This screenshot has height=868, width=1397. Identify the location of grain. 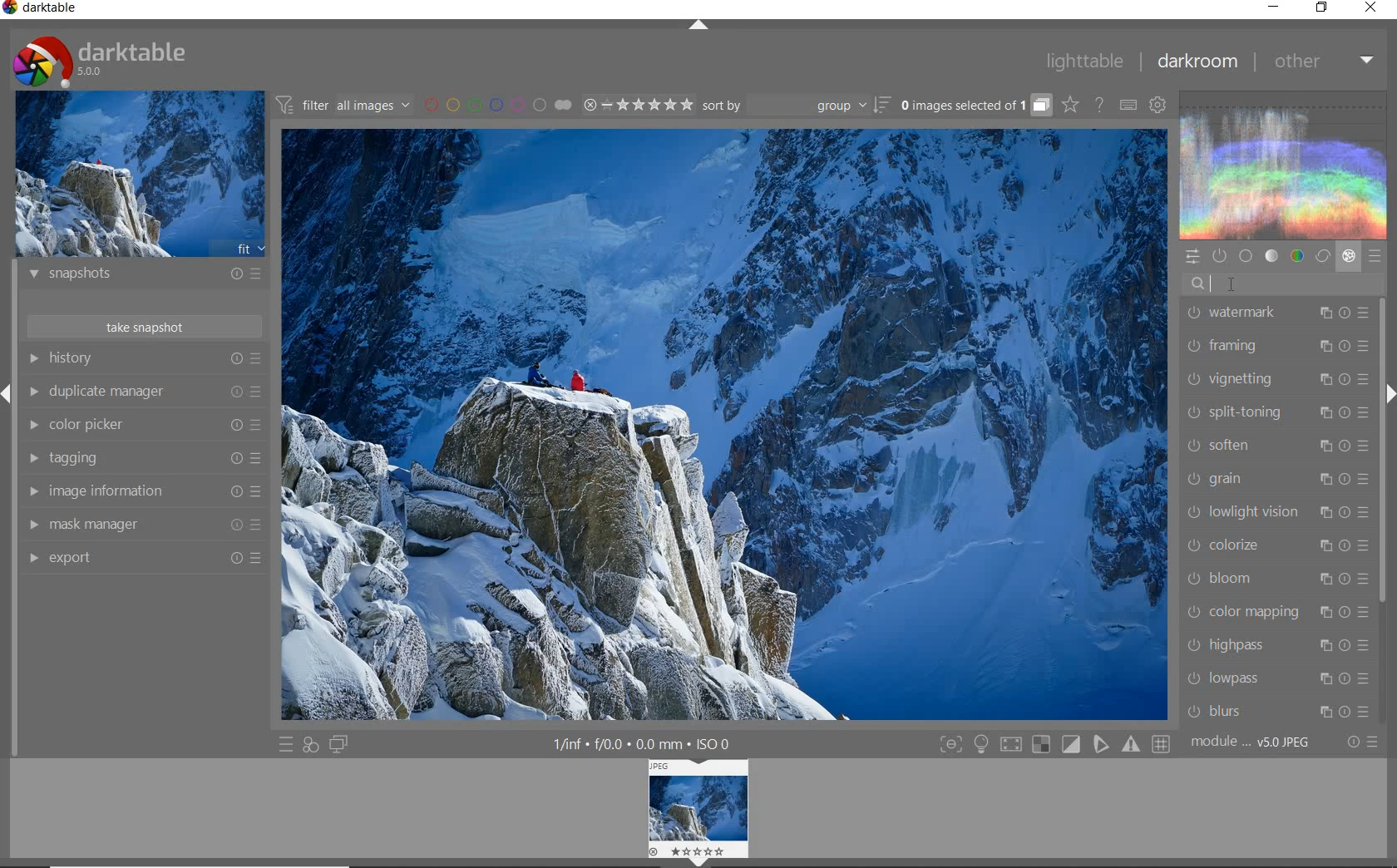
(1278, 479).